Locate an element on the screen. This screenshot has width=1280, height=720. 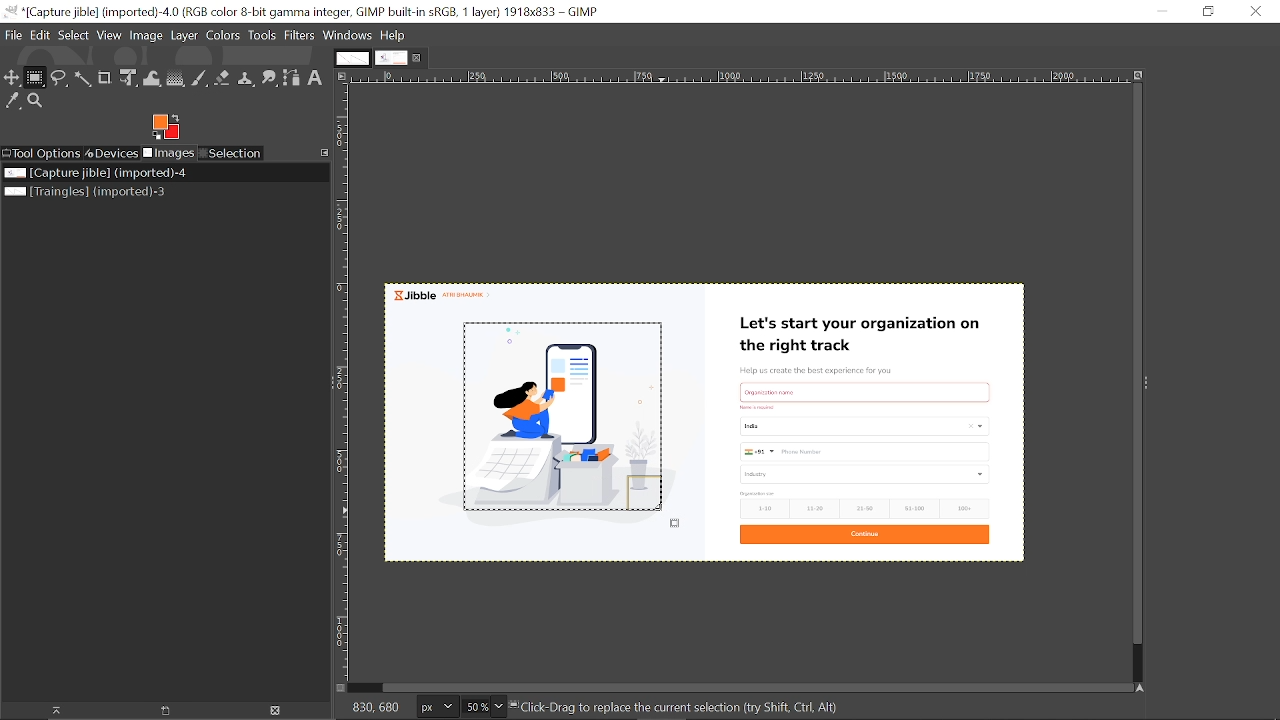
Image is located at coordinates (147, 36).